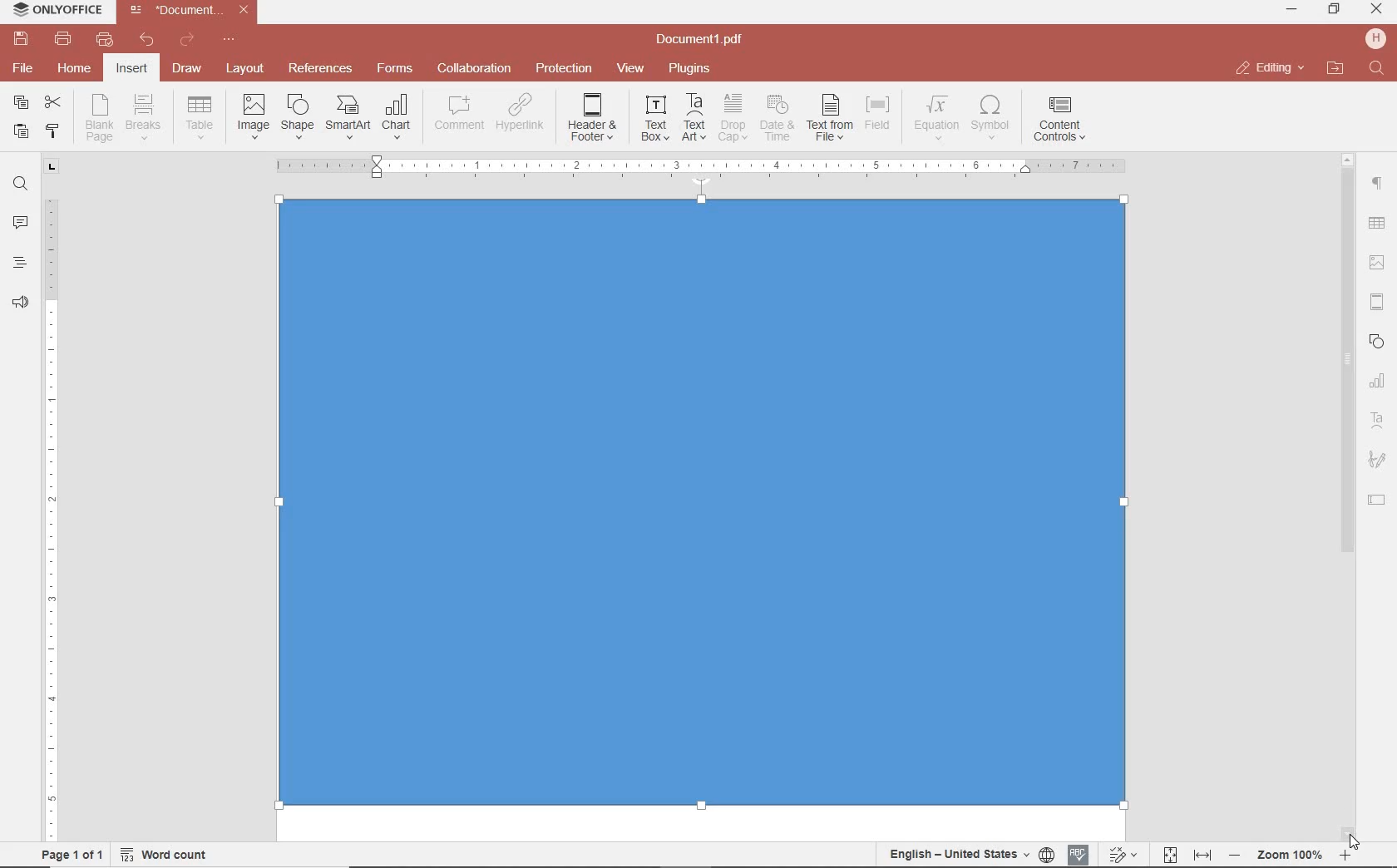 The height and width of the screenshot is (868, 1397). Describe the element at coordinates (21, 104) in the screenshot. I see `copy` at that location.